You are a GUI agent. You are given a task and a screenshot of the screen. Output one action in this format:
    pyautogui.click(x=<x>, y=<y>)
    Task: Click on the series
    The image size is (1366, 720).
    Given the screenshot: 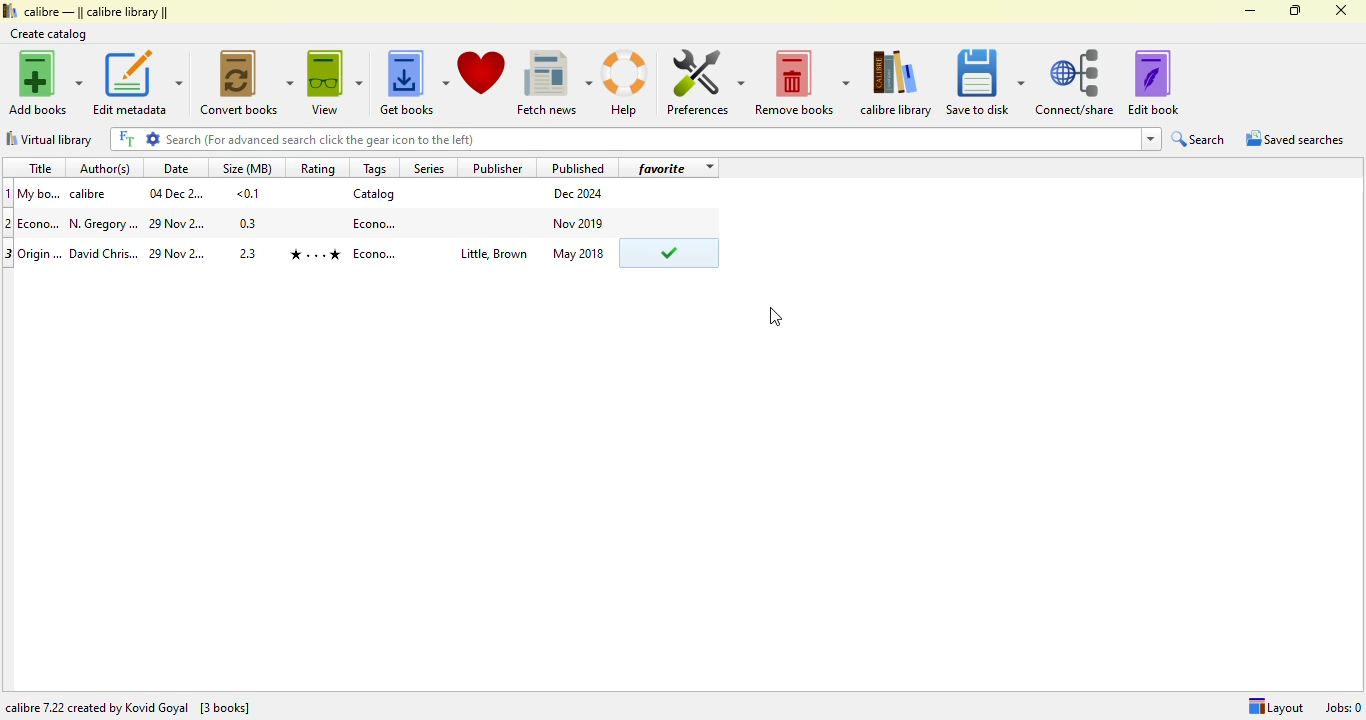 What is the action you would take?
    pyautogui.click(x=427, y=167)
    